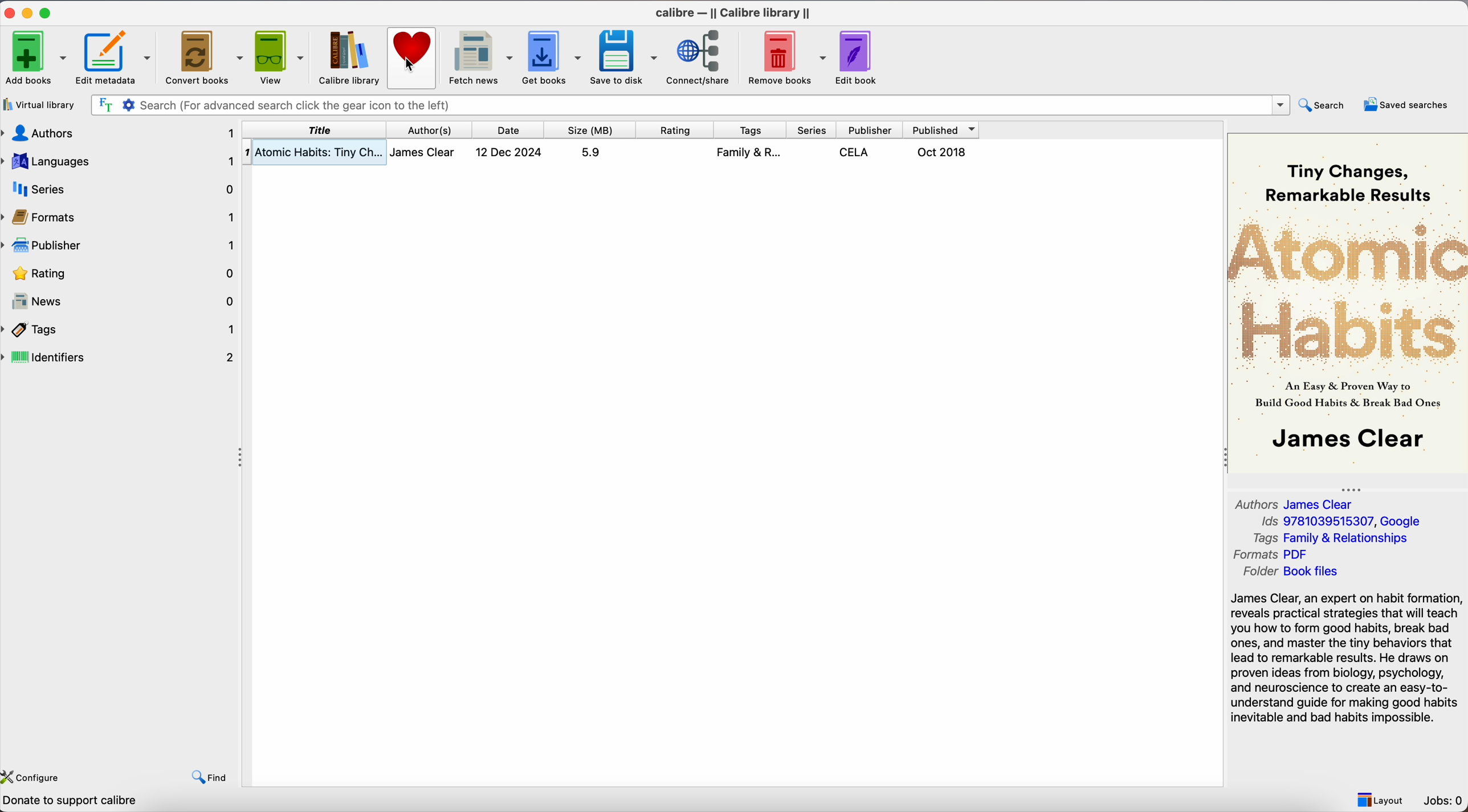  Describe the element at coordinates (1327, 105) in the screenshot. I see `search` at that location.